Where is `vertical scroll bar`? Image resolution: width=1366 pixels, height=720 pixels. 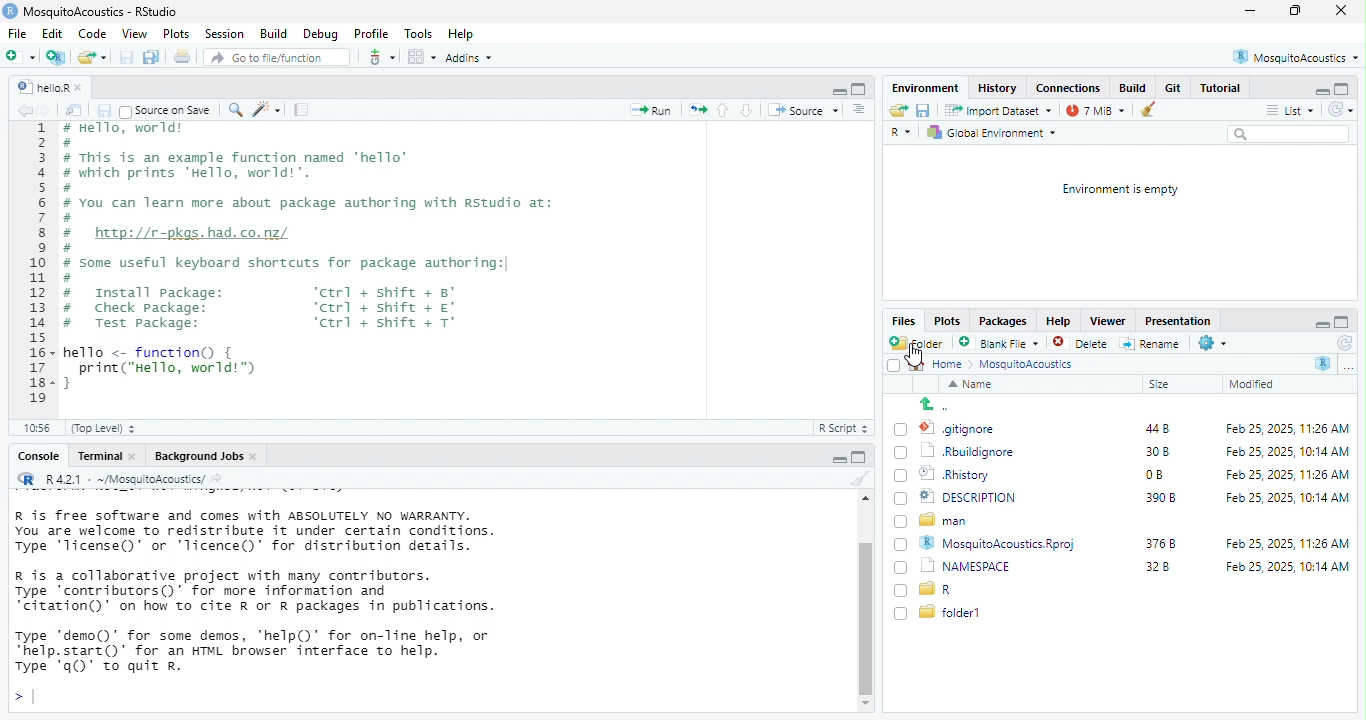 vertical scroll bar is located at coordinates (864, 611).